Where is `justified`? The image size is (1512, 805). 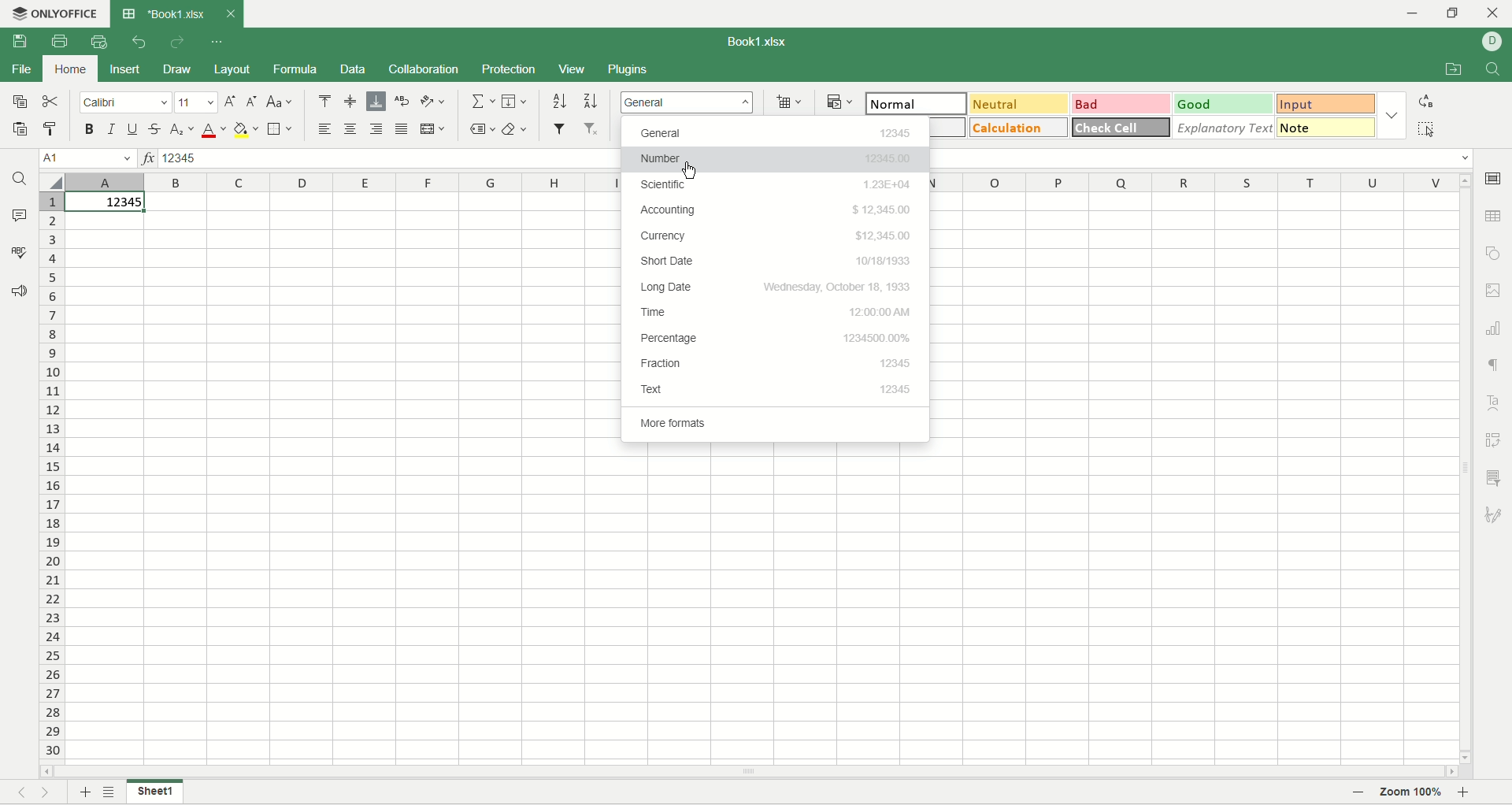 justified is located at coordinates (403, 129).